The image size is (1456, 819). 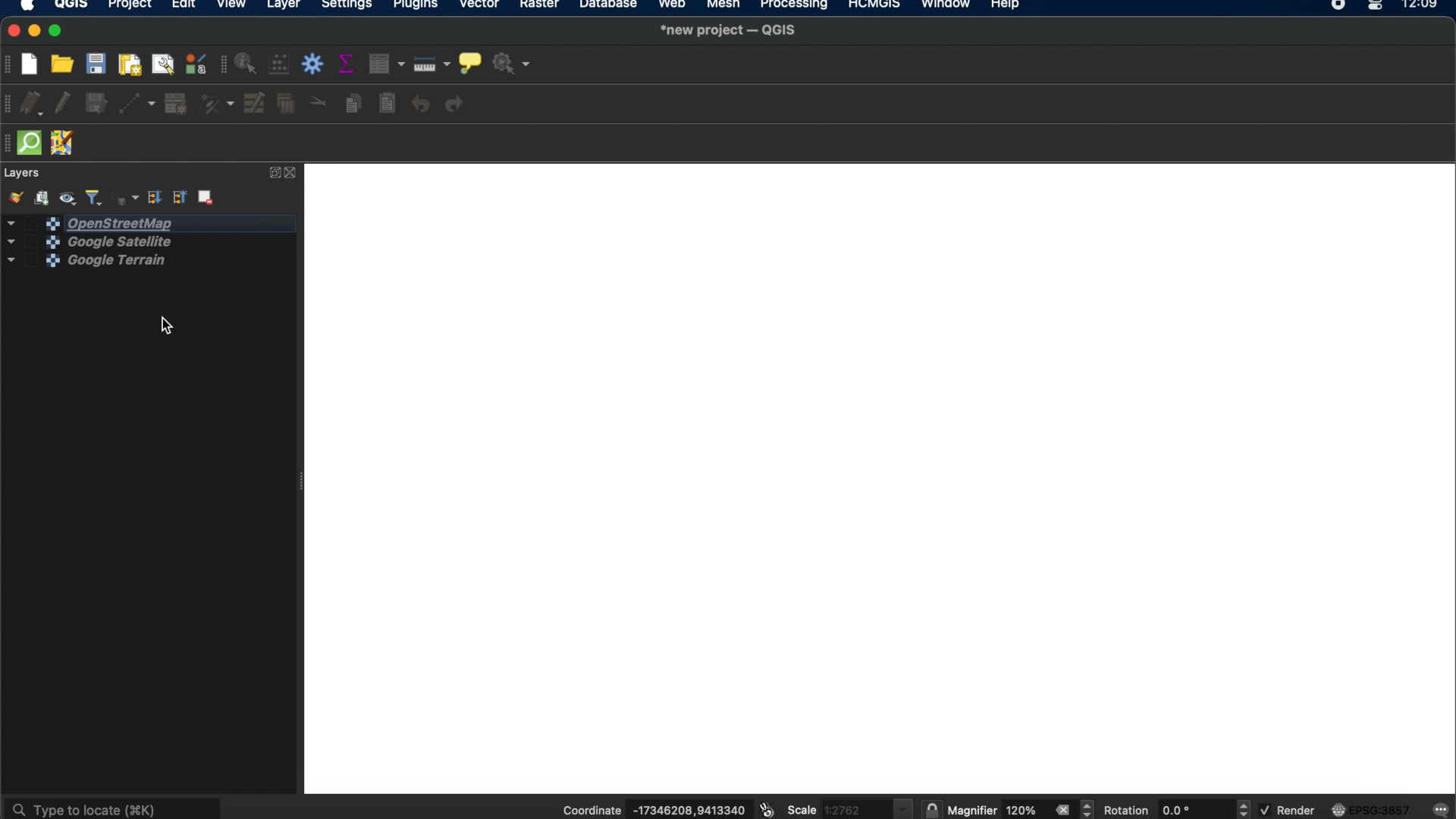 I want to click on control center, so click(x=1377, y=6).